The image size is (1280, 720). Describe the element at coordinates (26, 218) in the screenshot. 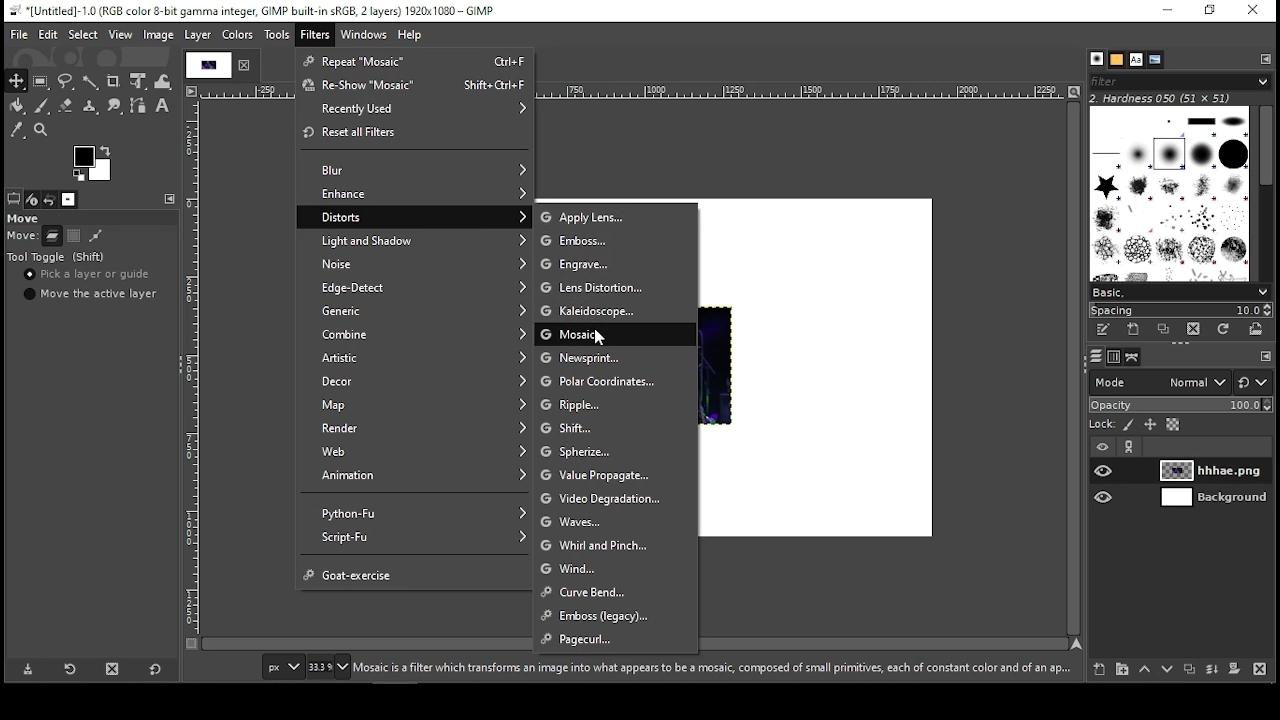

I see `move` at that location.